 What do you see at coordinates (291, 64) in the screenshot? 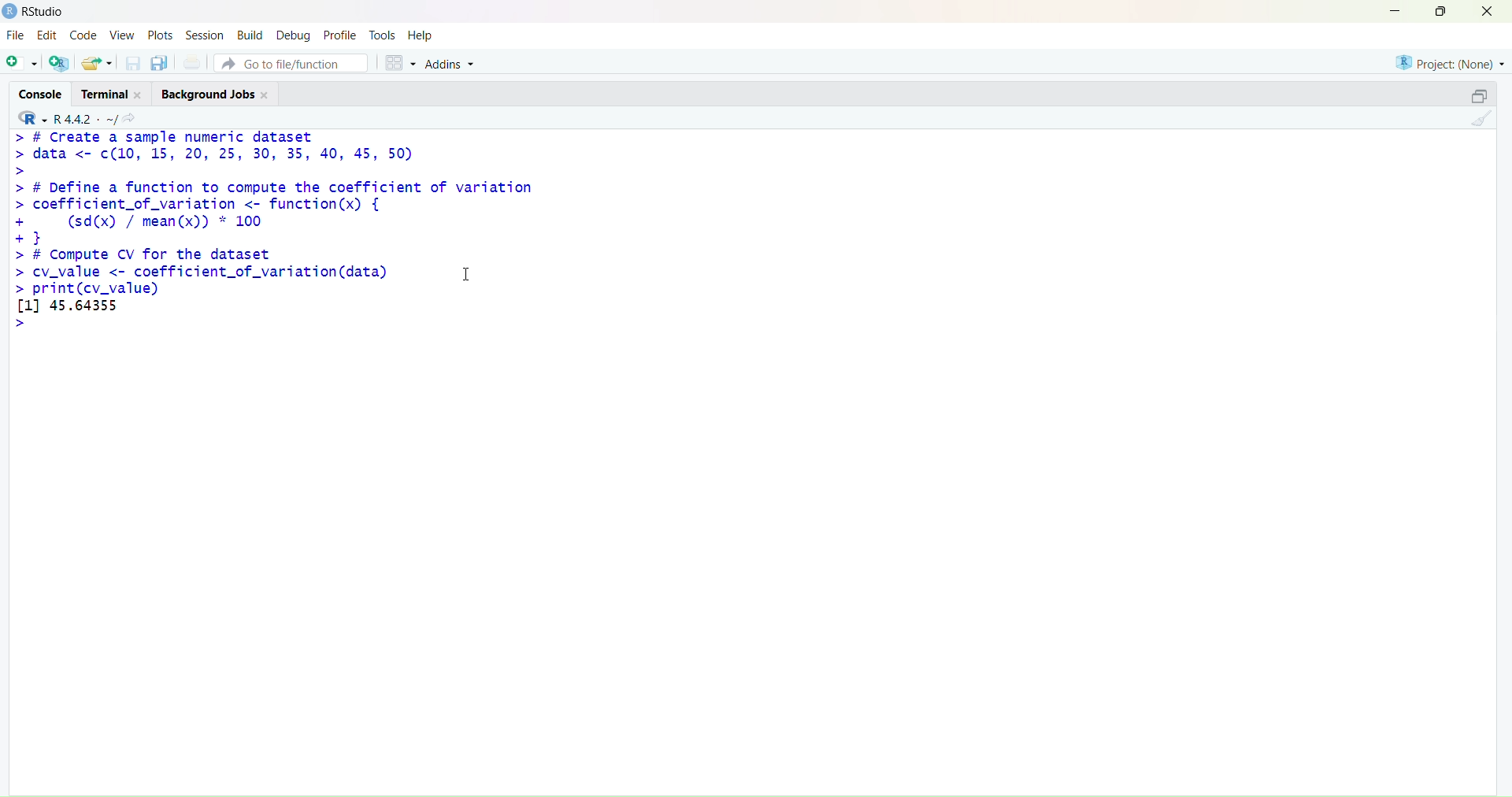
I see `go to file/function` at bounding box center [291, 64].